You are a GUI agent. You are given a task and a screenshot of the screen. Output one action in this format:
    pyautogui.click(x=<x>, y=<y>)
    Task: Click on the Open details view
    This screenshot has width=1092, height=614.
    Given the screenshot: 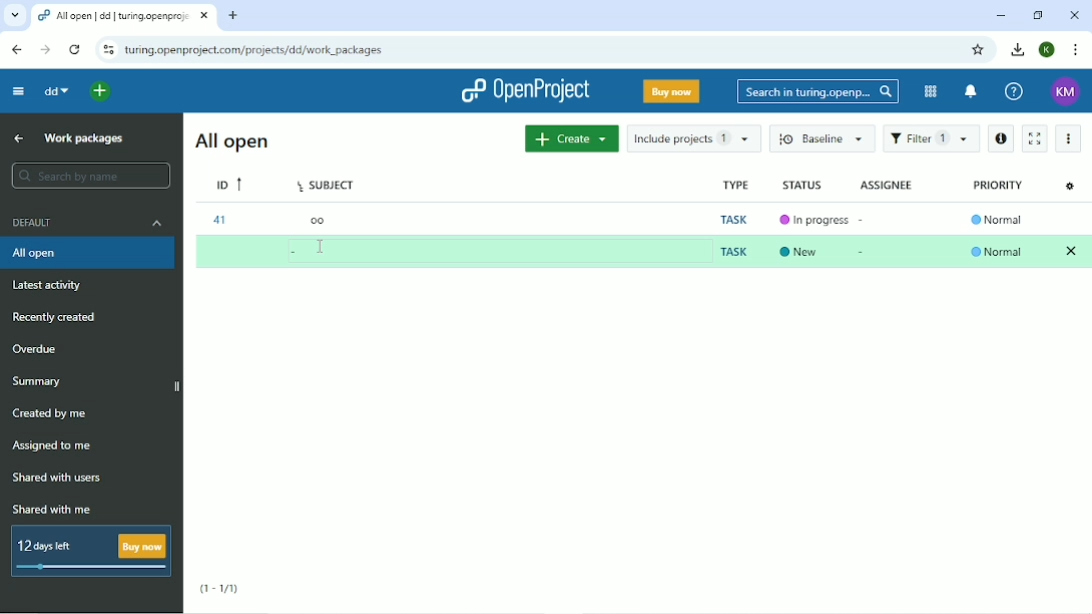 What is the action you would take?
    pyautogui.click(x=1001, y=138)
    